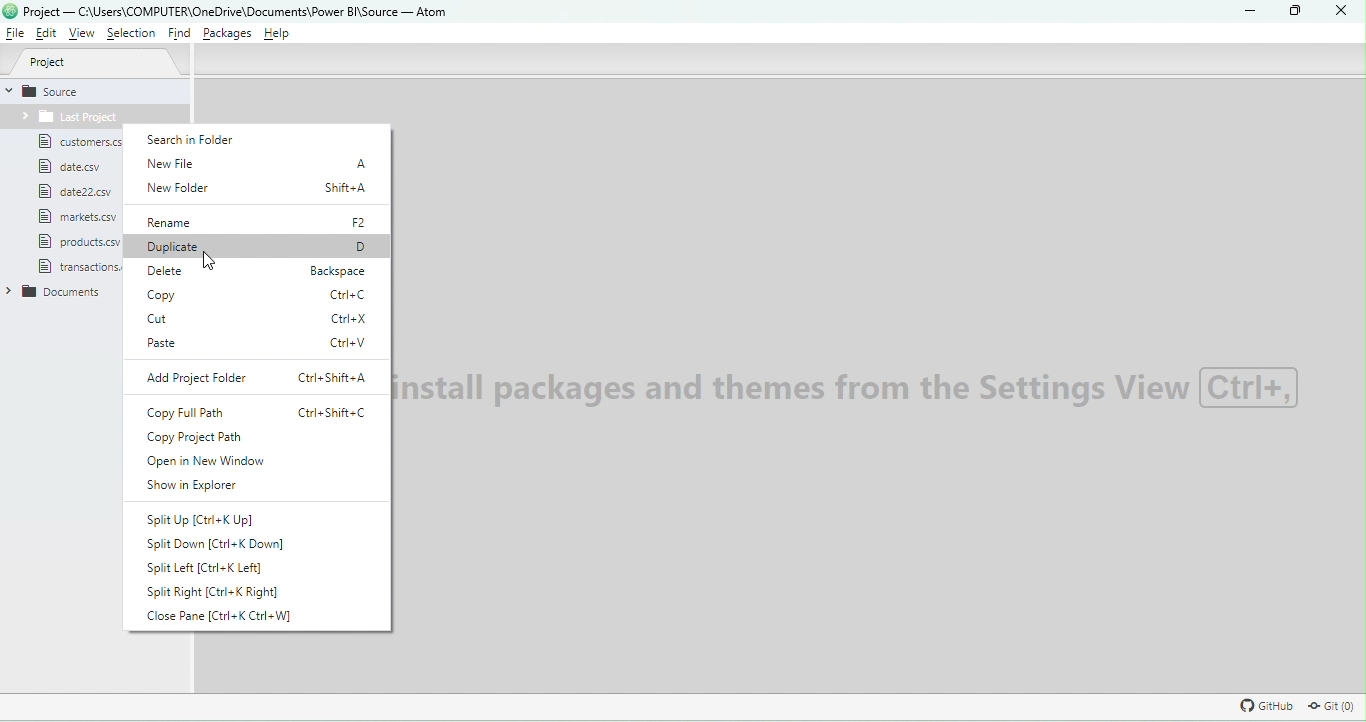 Image resolution: width=1366 pixels, height=722 pixels. What do you see at coordinates (1264, 705) in the screenshot?
I see `GitHub` at bounding box center [1264, 705].